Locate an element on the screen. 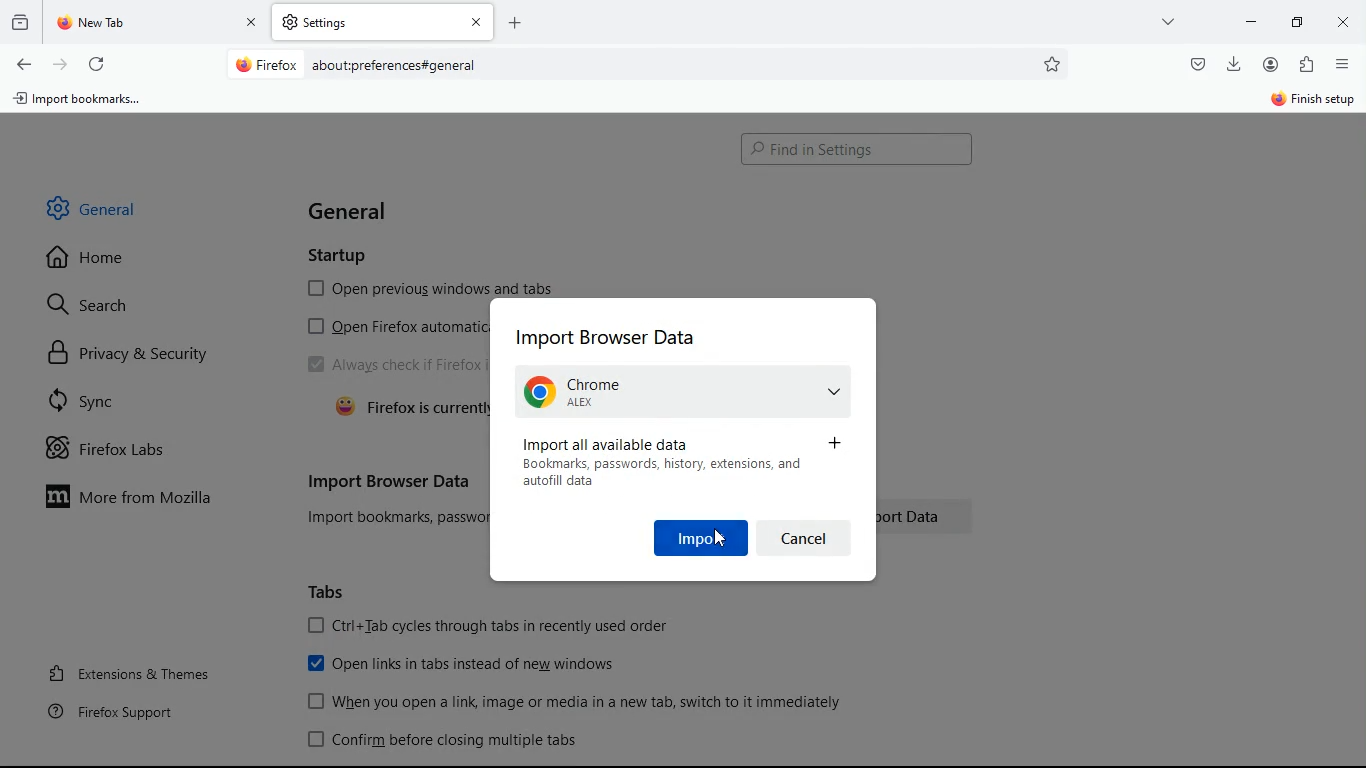 The height and width of the screenshot is (768, 1366). Add new tab is located at coordinates (515, 23).